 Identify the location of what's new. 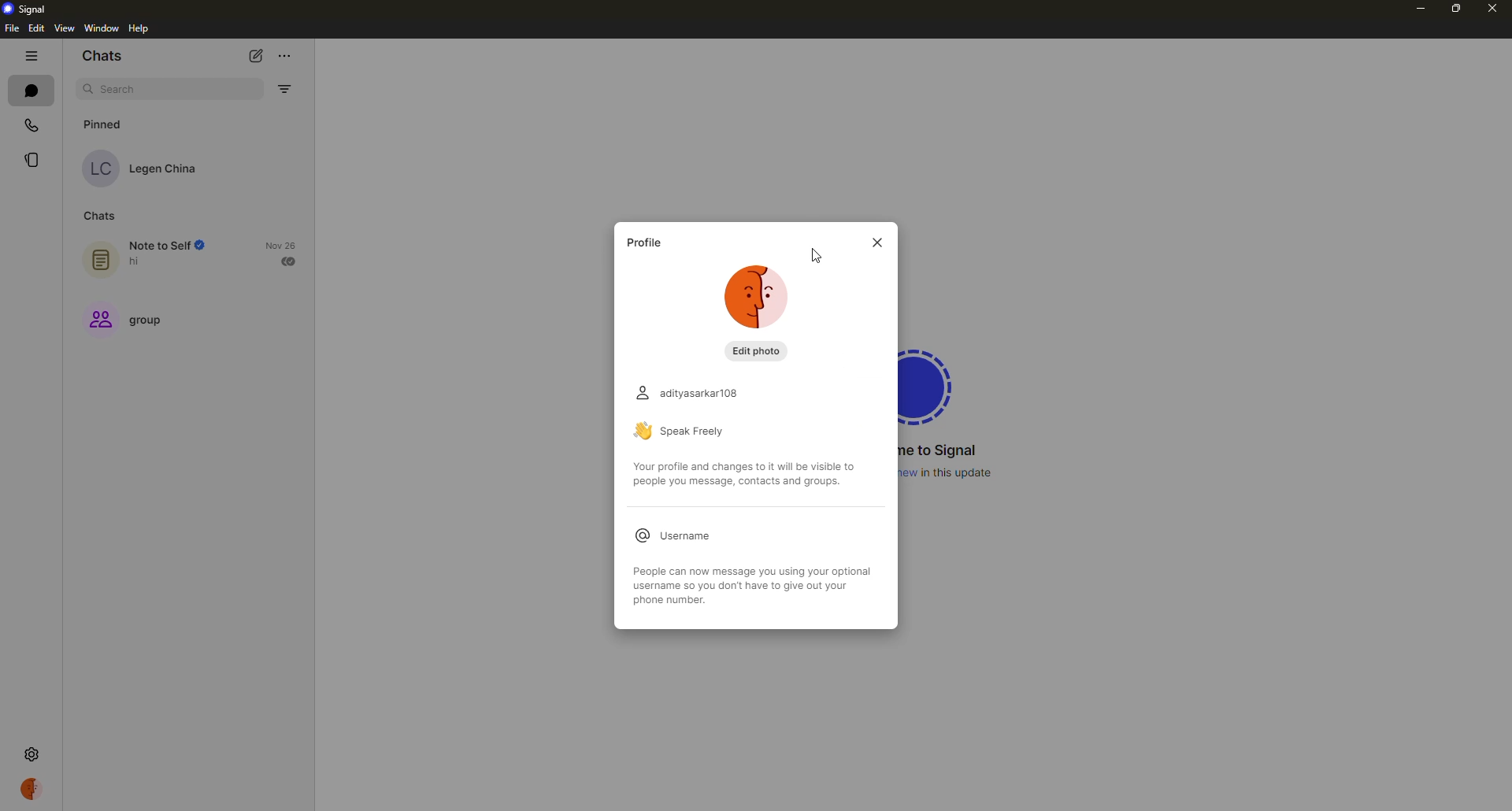
(951, 472).